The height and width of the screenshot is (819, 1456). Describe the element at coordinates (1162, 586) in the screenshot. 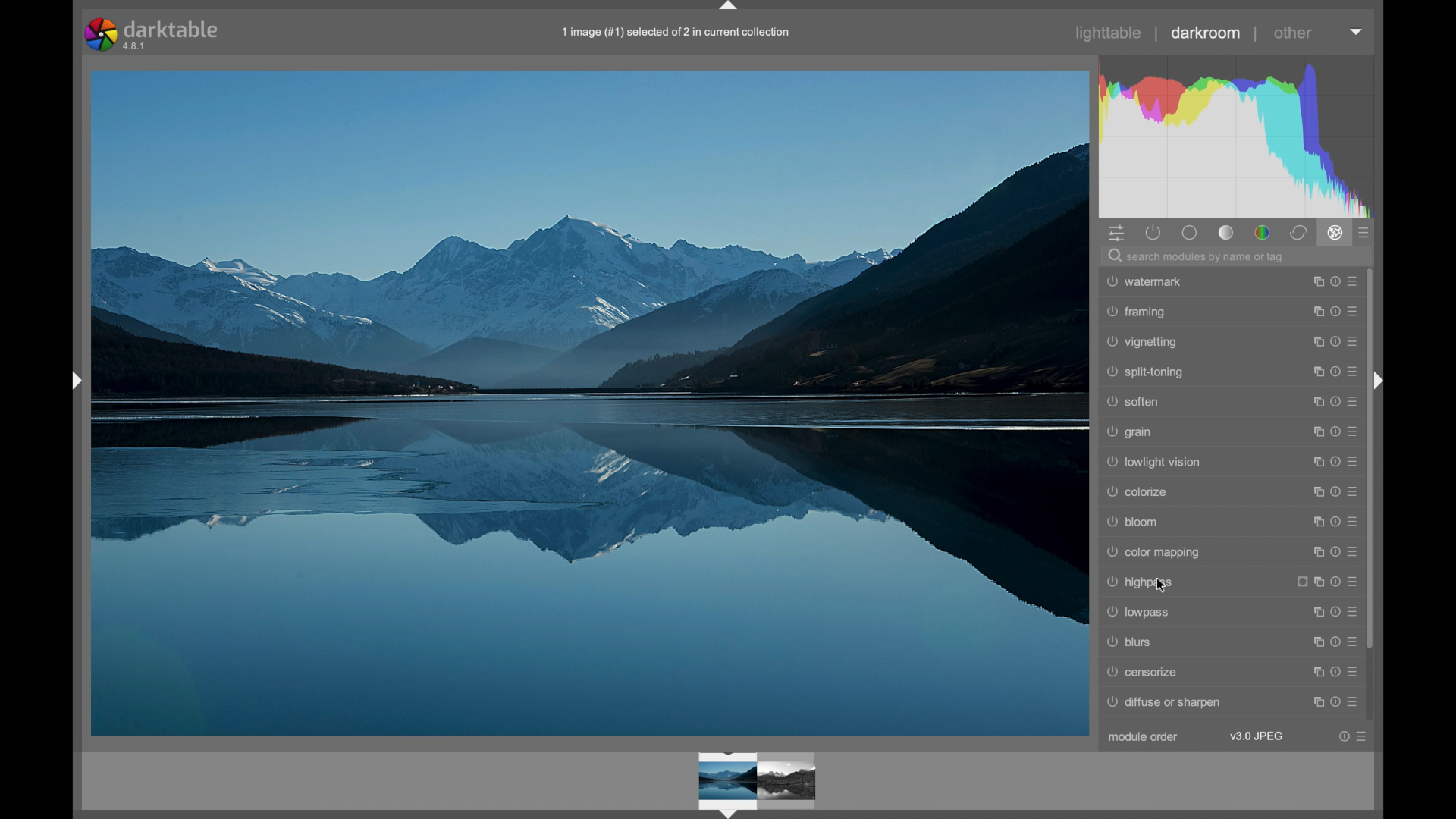

I see `cursor` at that location.